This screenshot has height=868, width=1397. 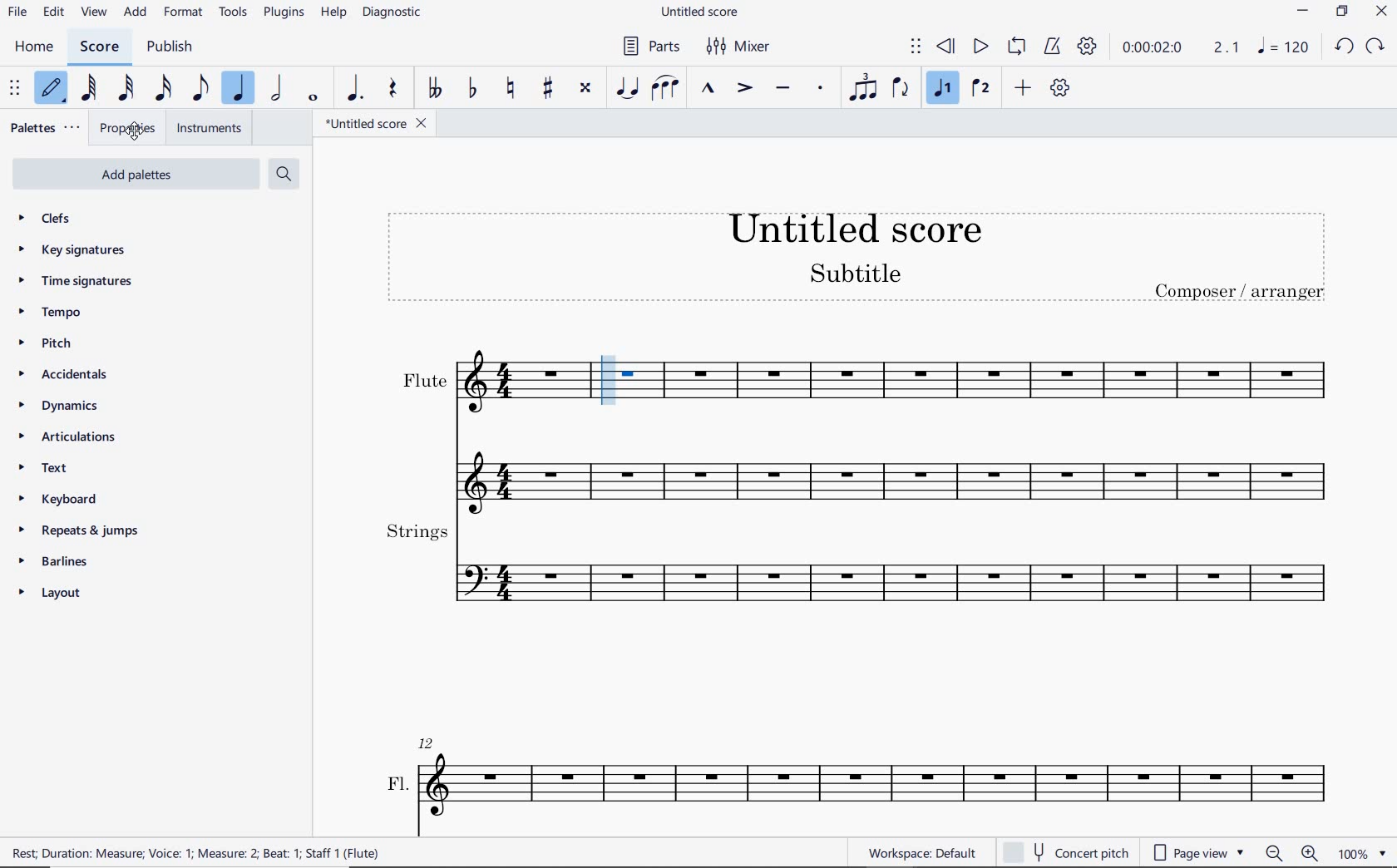 What do you see at coordinates (783, 86) in the screenshot?
I see `TENUTO` at bounding box center [783, 86].